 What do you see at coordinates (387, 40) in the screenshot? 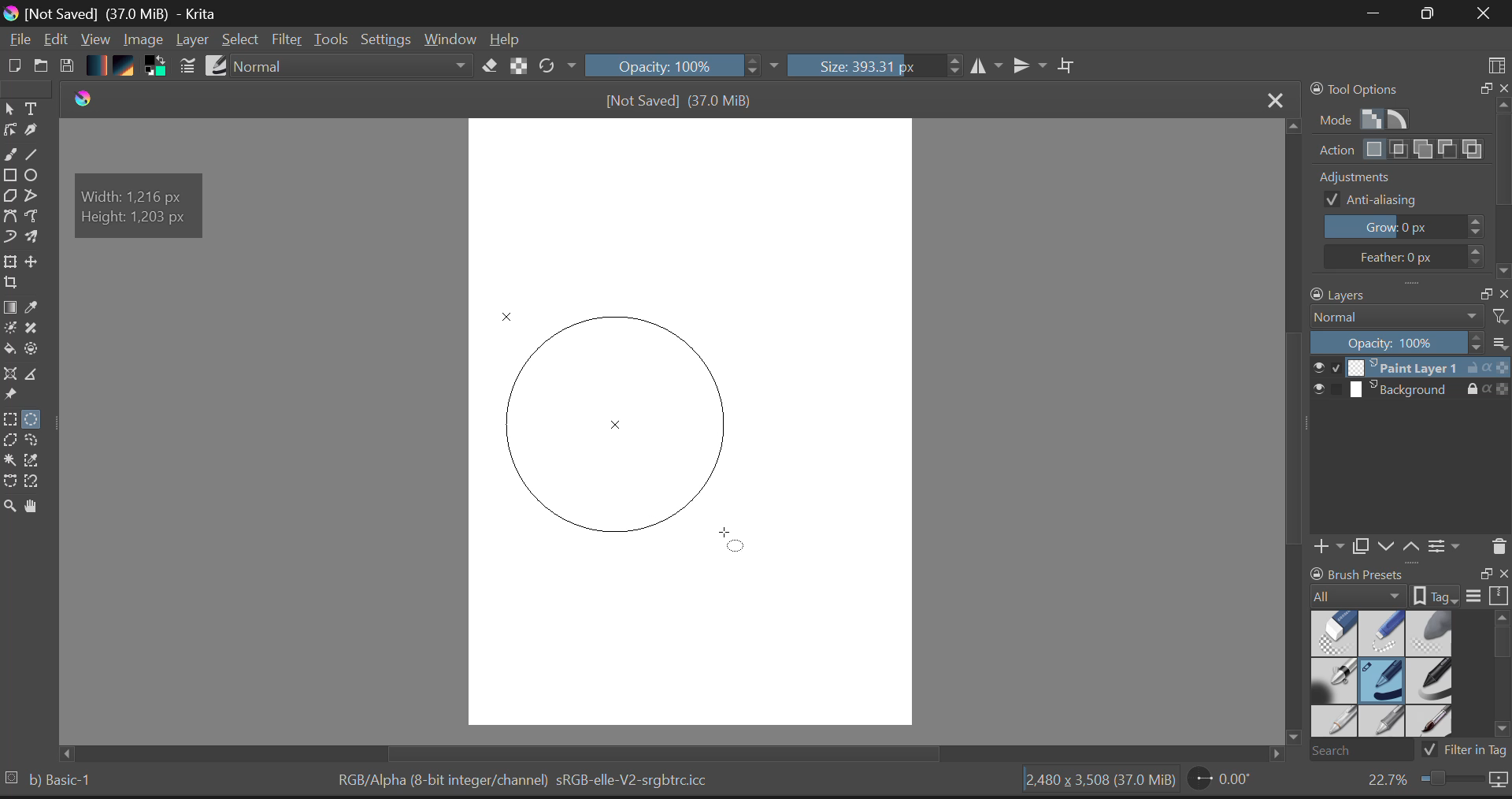
I see `Settings` at bounding box center [387, 40].